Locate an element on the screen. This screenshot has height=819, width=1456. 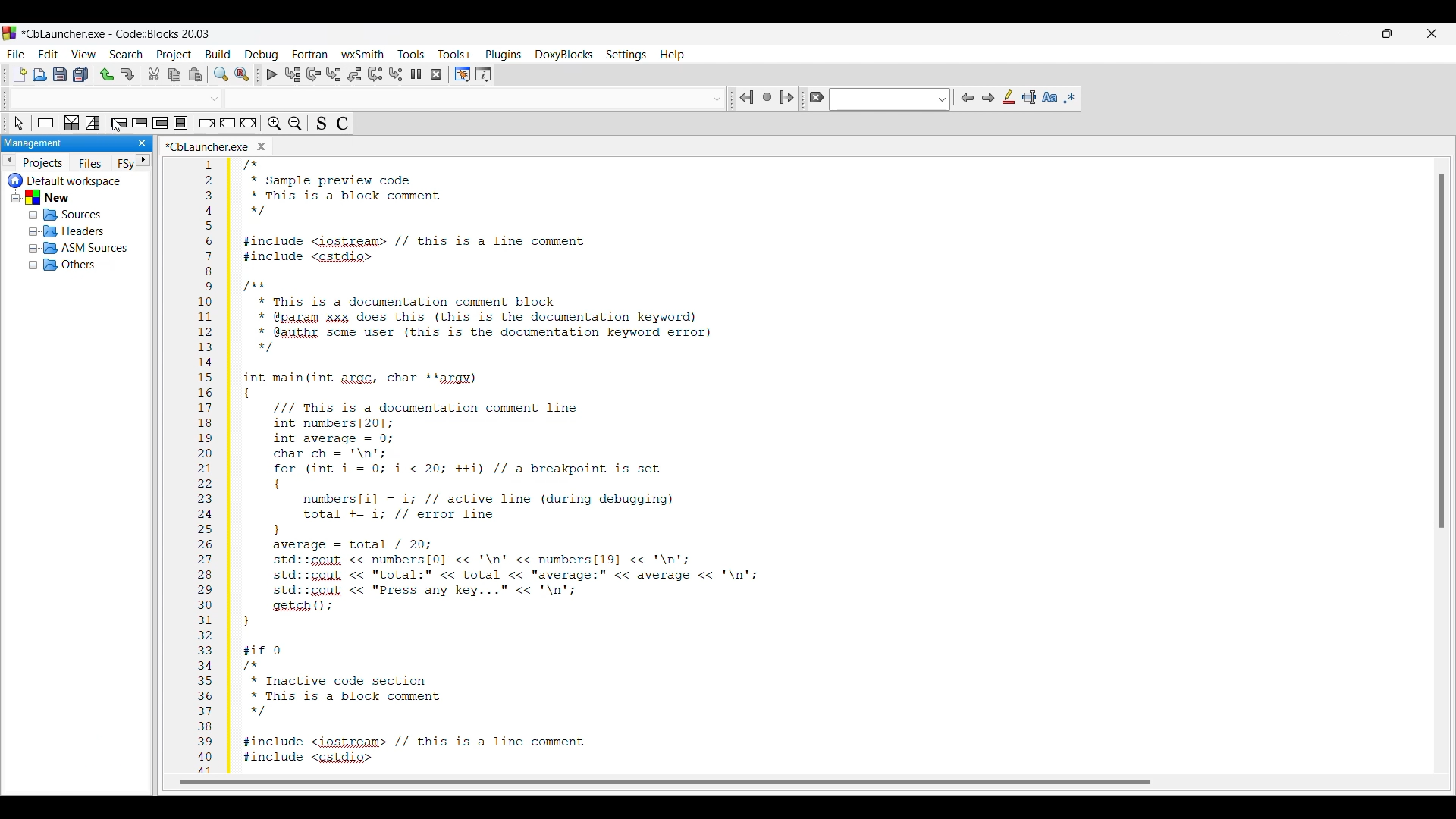
Close interface is located at coordinates (1432, 33).